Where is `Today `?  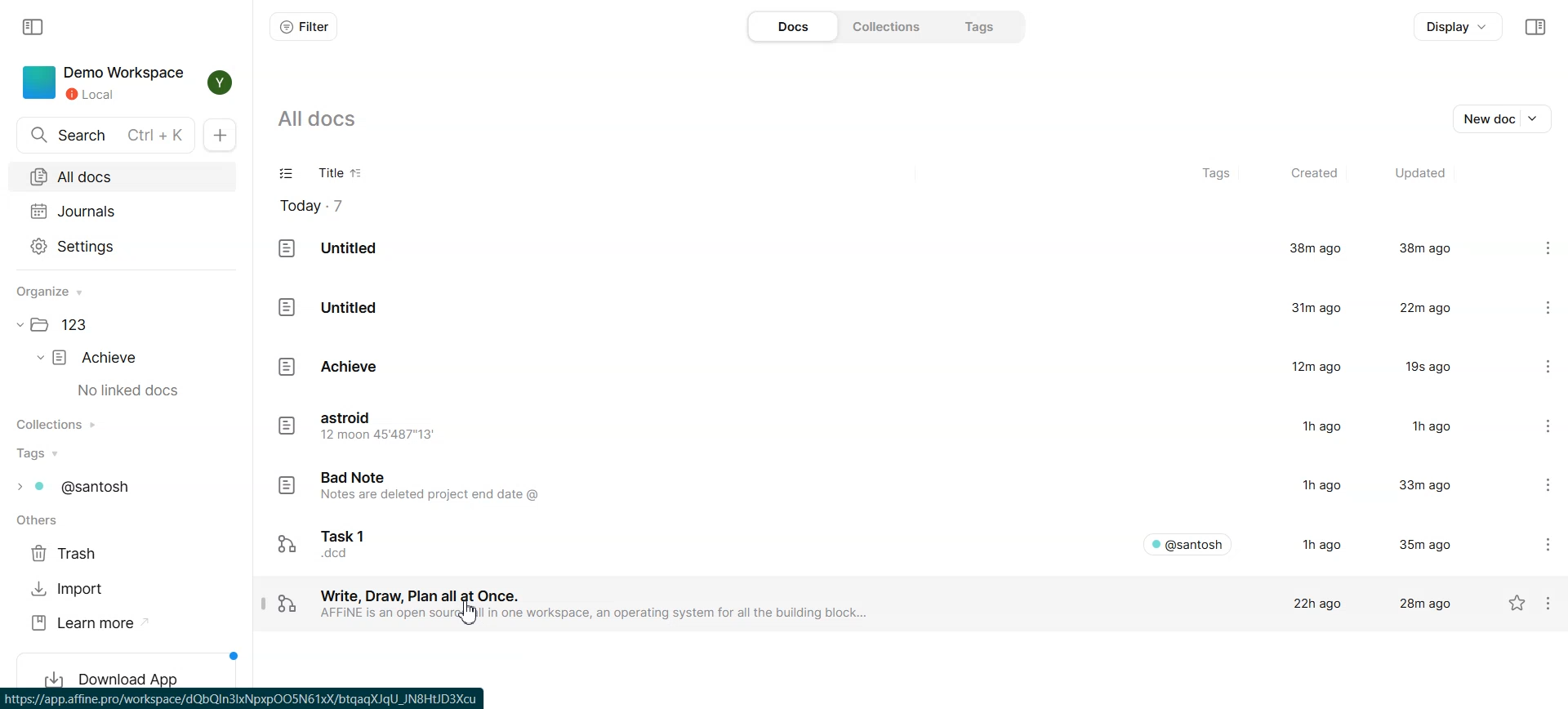 Today  is located at coordinates (321, 206).